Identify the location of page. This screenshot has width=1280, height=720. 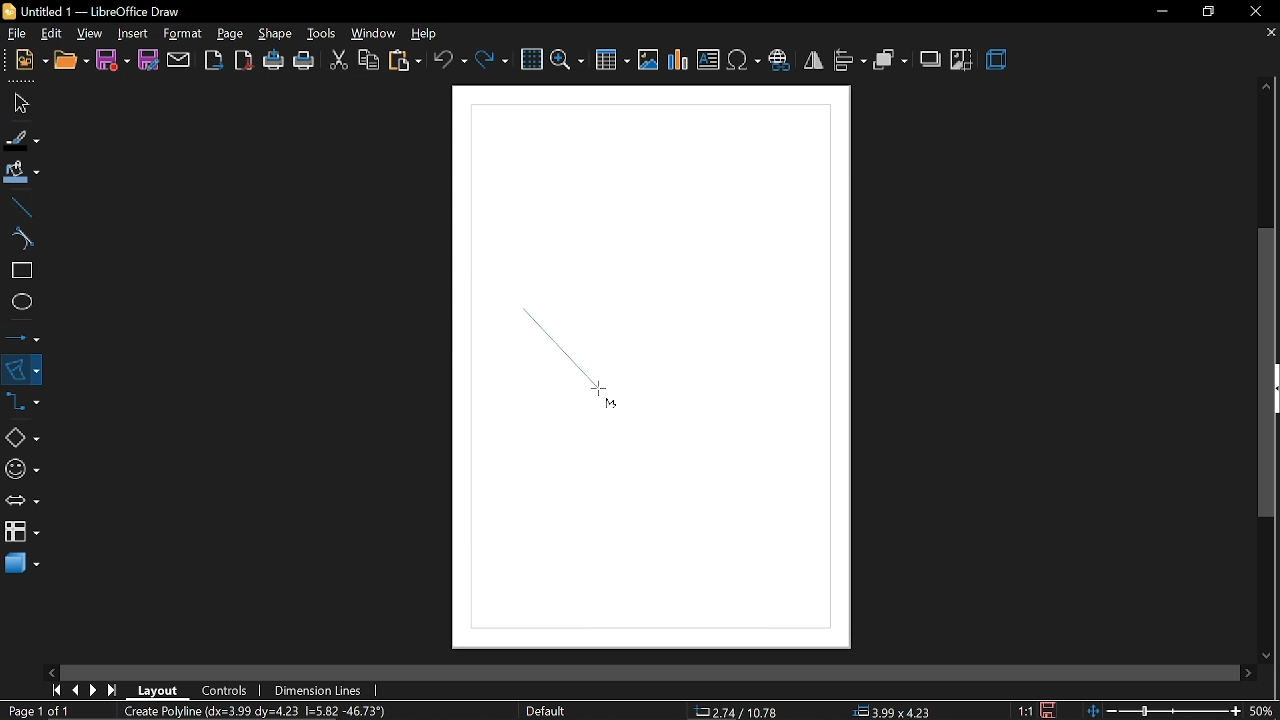
(230, 33).